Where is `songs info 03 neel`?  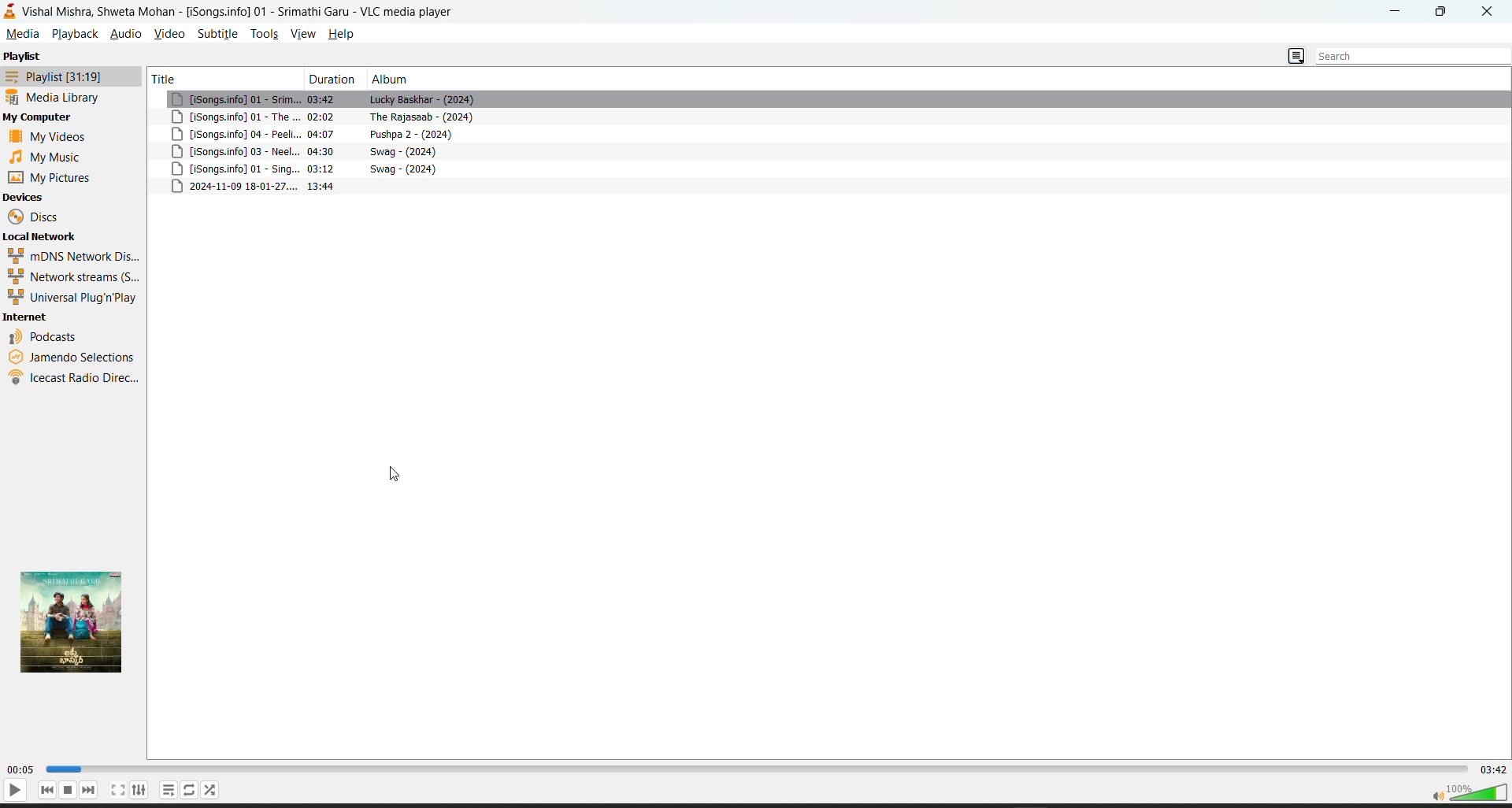 songs info 03 neel is located at coordinates (232, 150).